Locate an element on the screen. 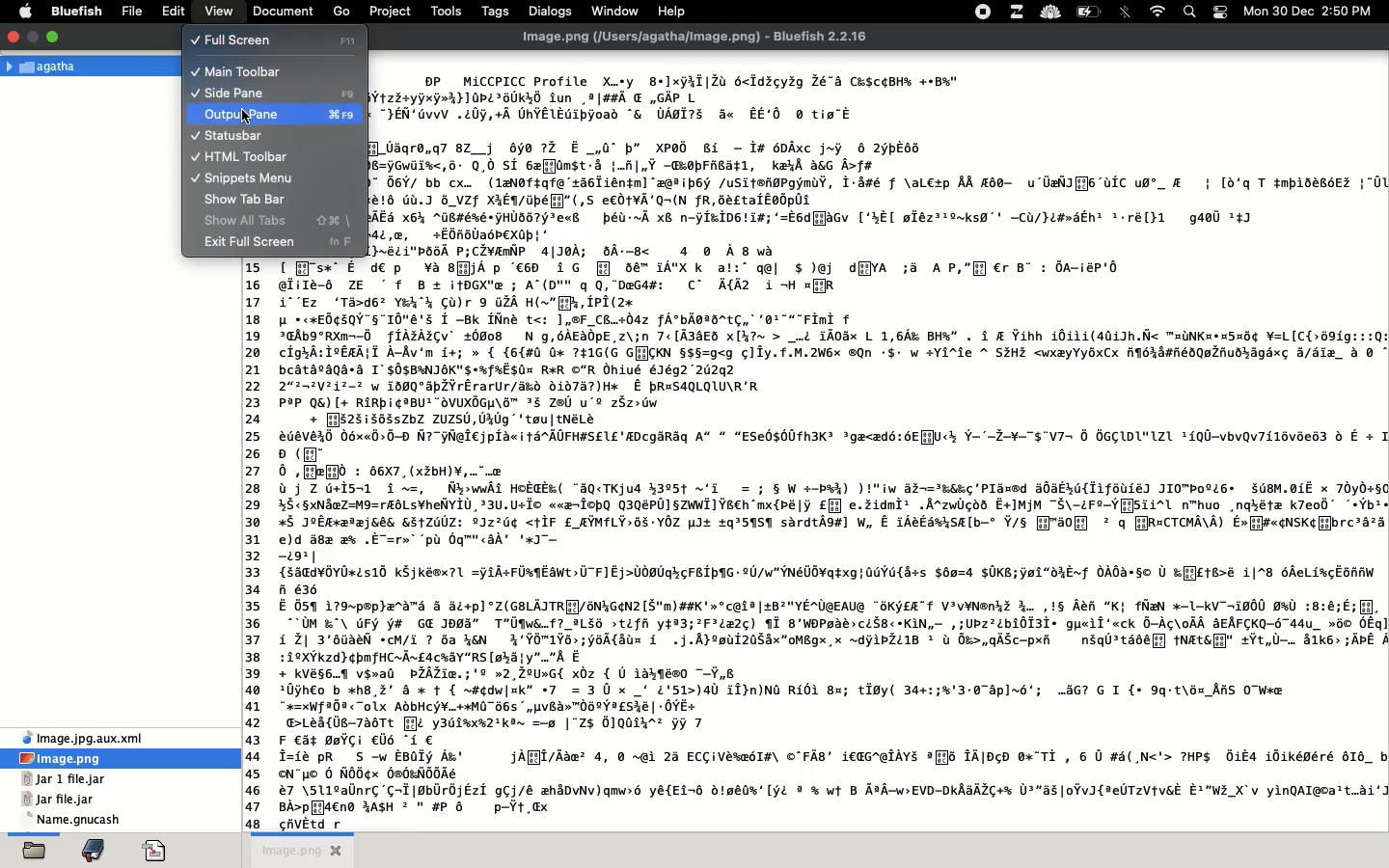  jar 1 file jar is located at coordinates (67, 779).